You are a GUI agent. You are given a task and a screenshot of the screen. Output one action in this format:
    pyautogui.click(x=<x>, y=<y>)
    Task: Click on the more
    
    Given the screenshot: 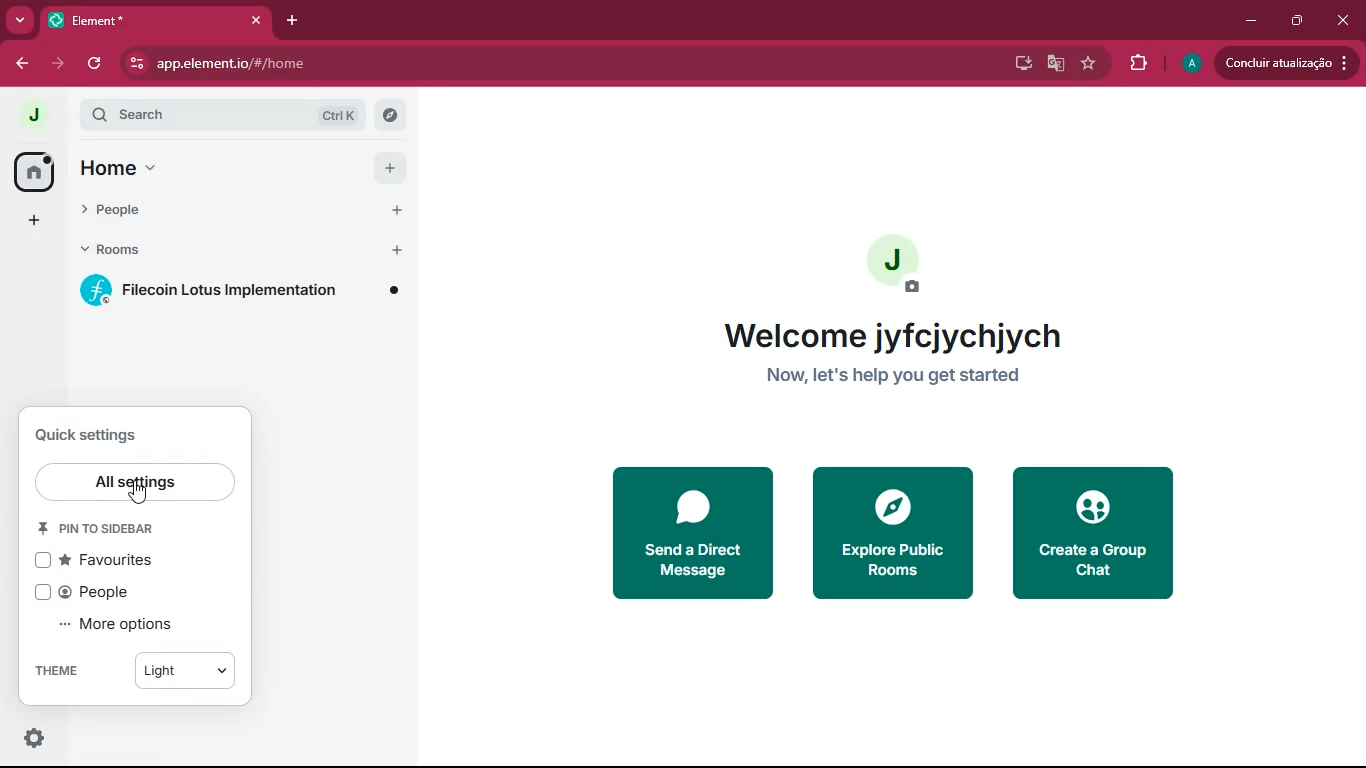 What is the action you would take?
    pyautogui.click(x=20, y=22)
    